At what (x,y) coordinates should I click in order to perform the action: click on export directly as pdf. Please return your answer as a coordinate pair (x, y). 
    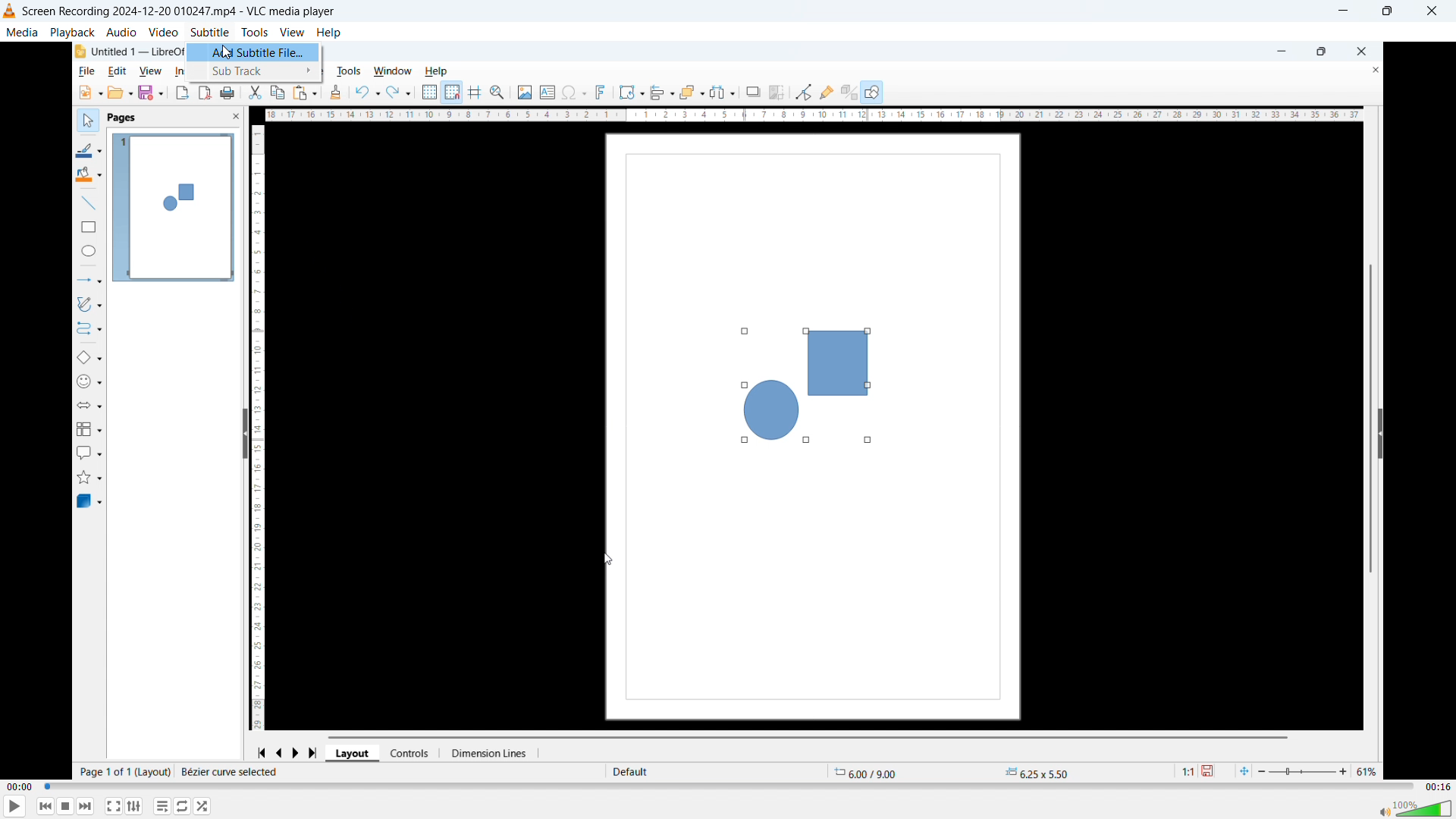
    Looking at the image, I should click on (206, 93).